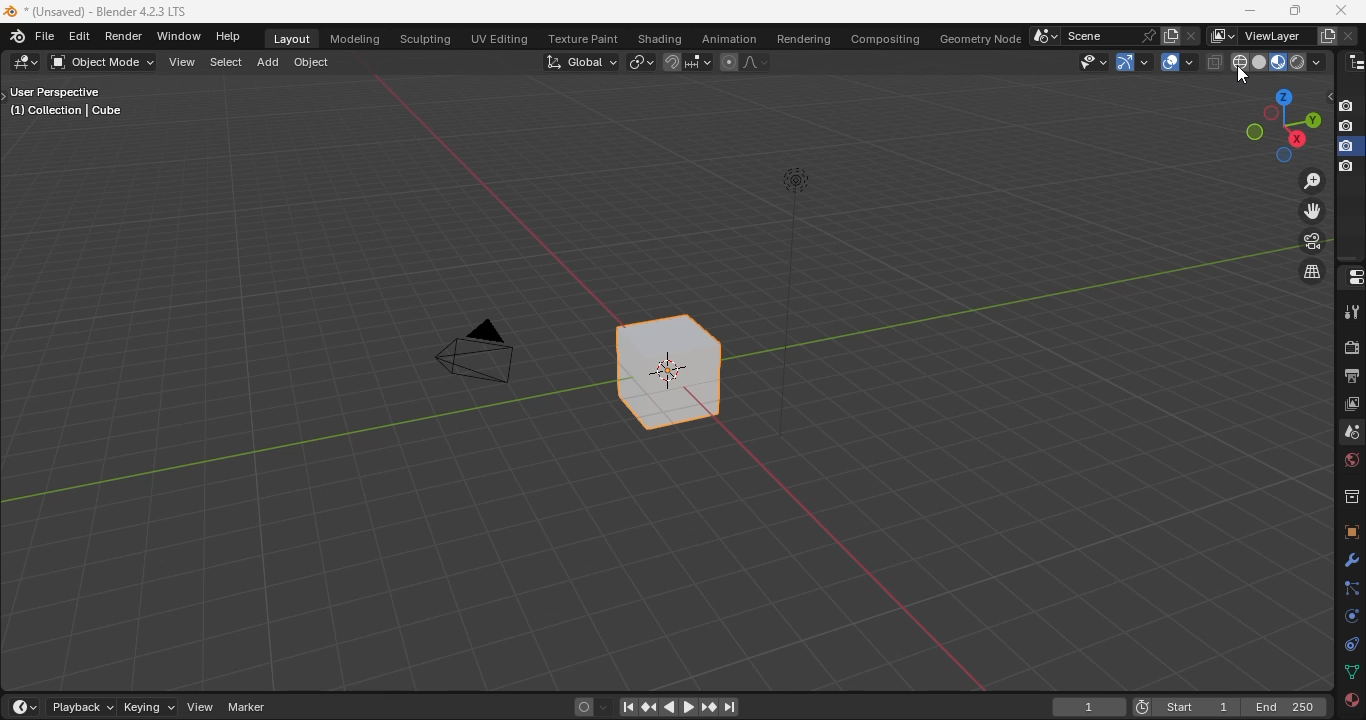 The width and height of the screenshot is (1366, 720). Describe the element at coordinates (729, 40) in the screenshot. I see `animation` at that location.